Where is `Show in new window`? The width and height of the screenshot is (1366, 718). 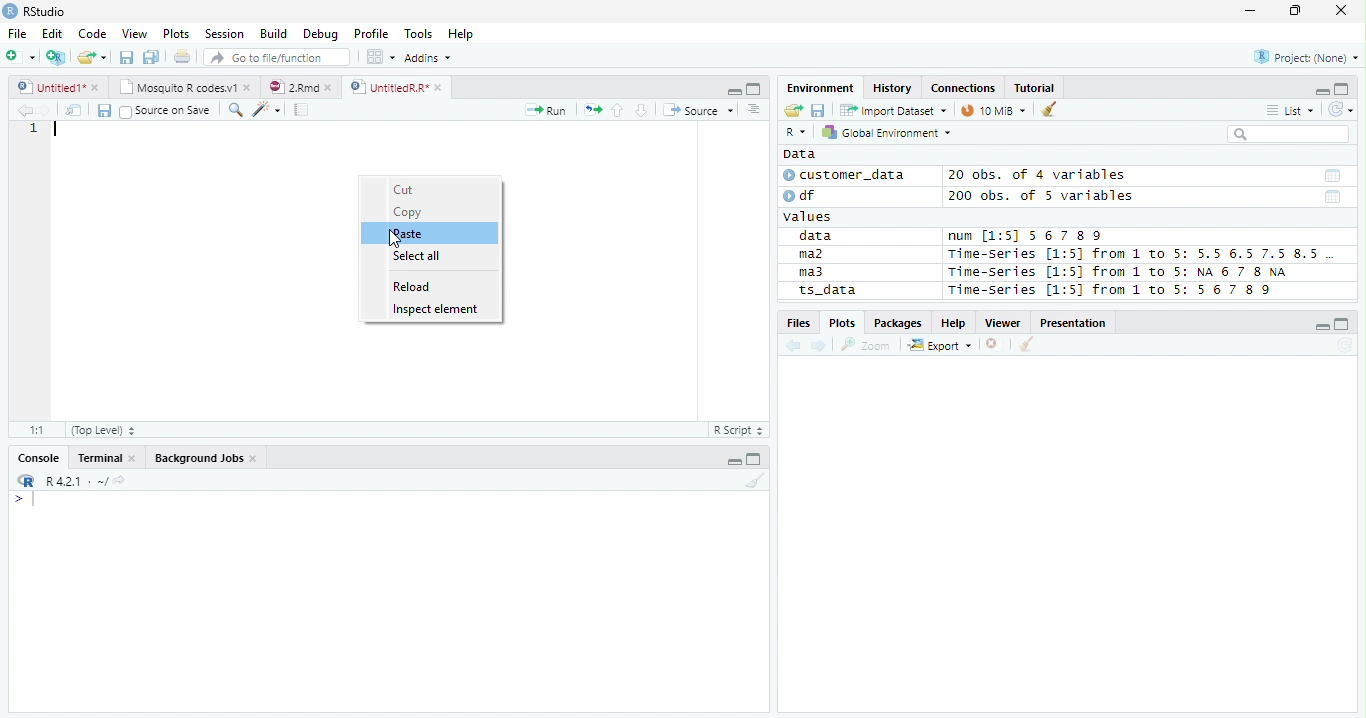
Show in new window is located at coordinates (75, 110).